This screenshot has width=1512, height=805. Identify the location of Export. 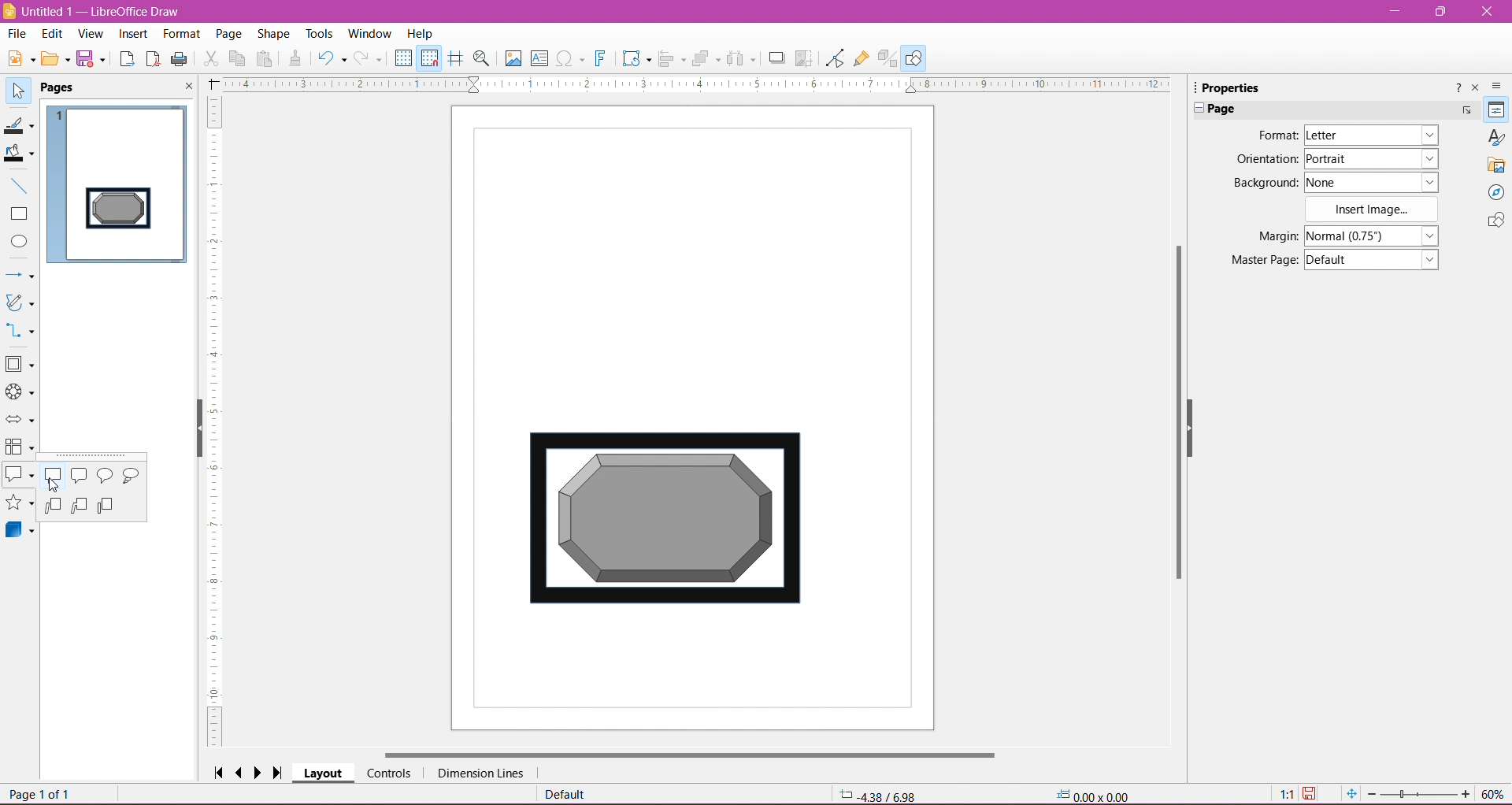
(125, 58).